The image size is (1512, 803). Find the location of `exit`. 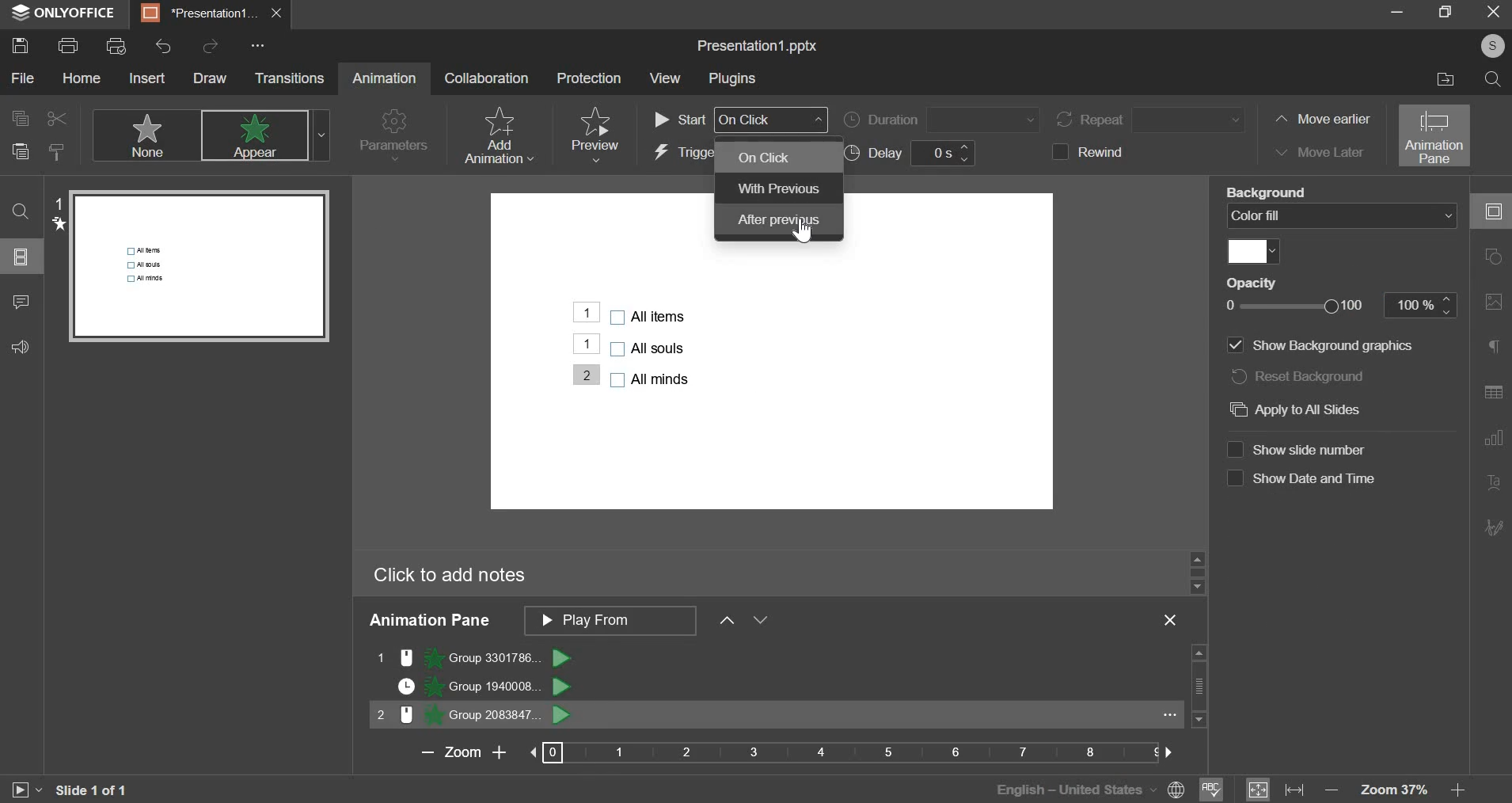

exit is located at coordinates (1487, 15).